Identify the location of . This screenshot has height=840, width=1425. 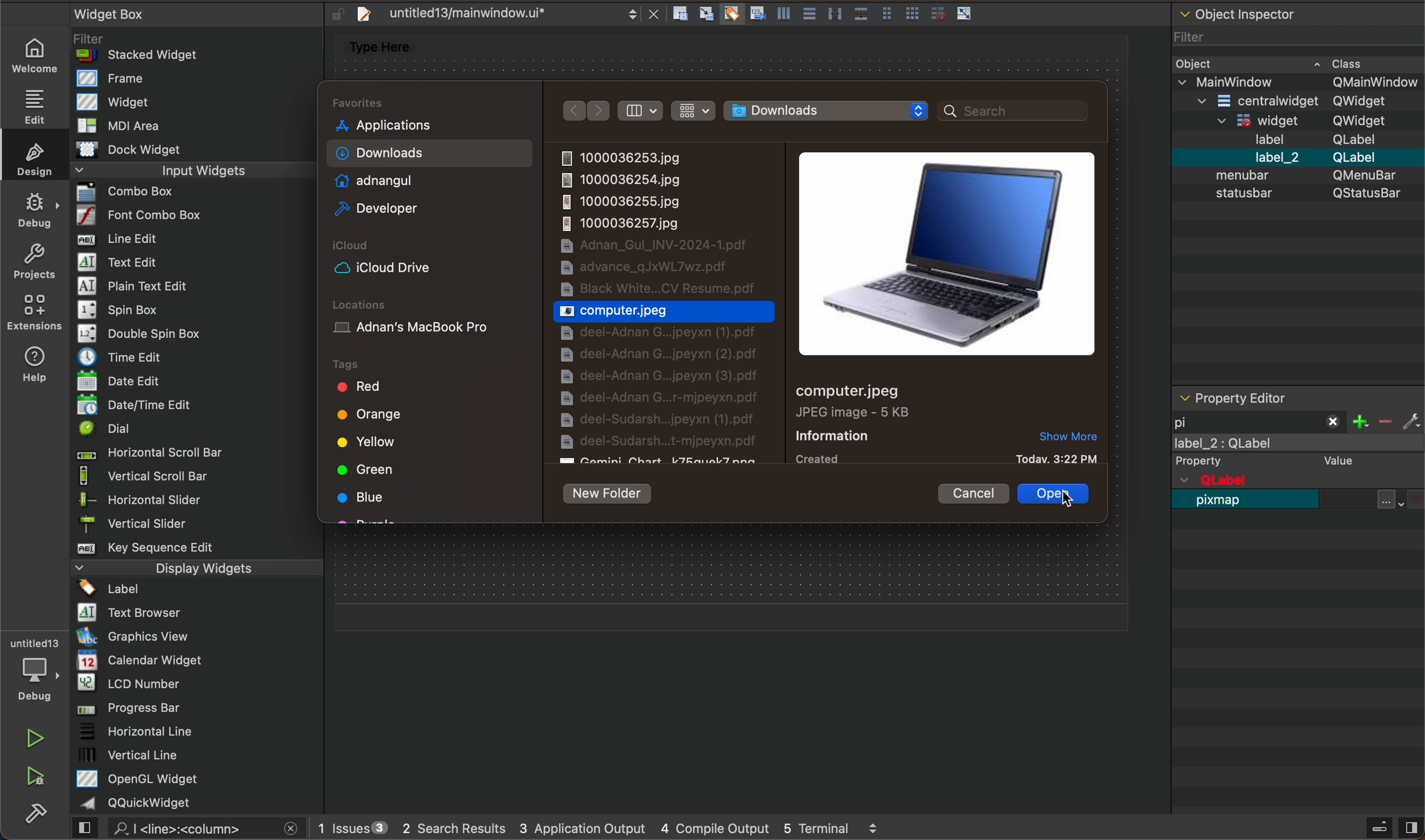
(1380, 828).